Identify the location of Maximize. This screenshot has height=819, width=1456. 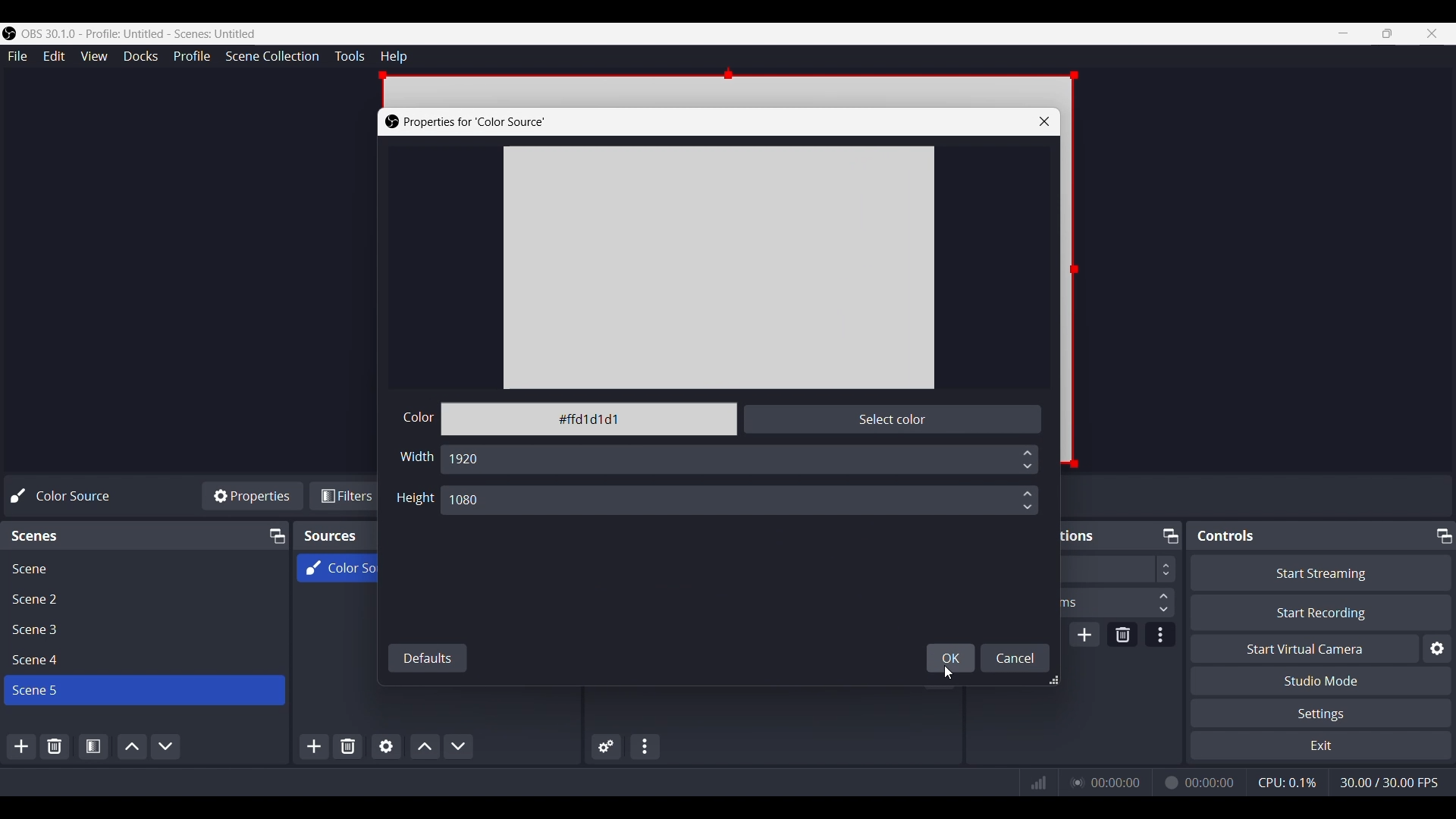
(1168, 533).